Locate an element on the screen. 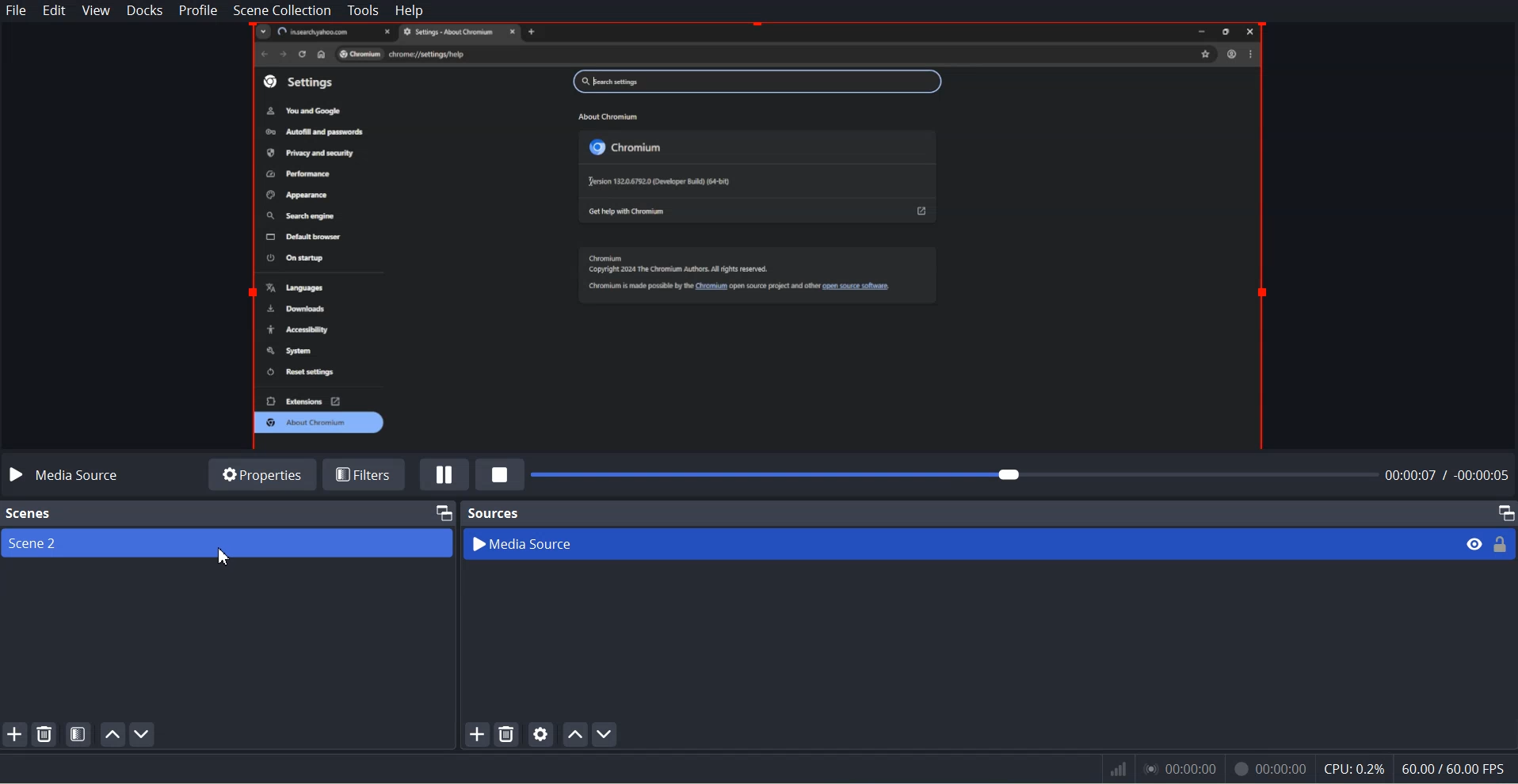 The height and width of the screenshot is (784, 1518). eye is located at coordinates (1475, 543).